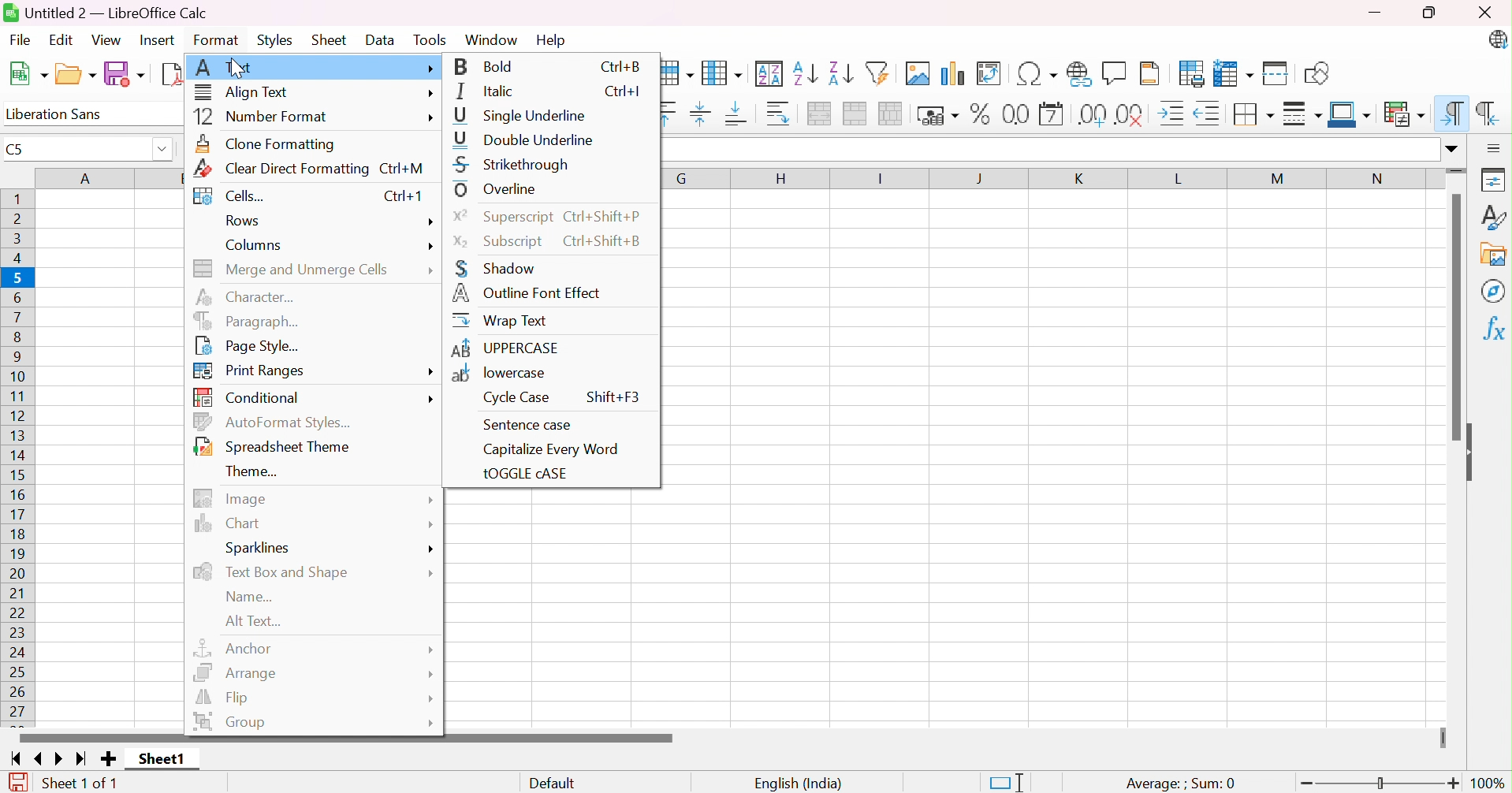  I want to click on Insert Special Functions, so click(1040, 73).